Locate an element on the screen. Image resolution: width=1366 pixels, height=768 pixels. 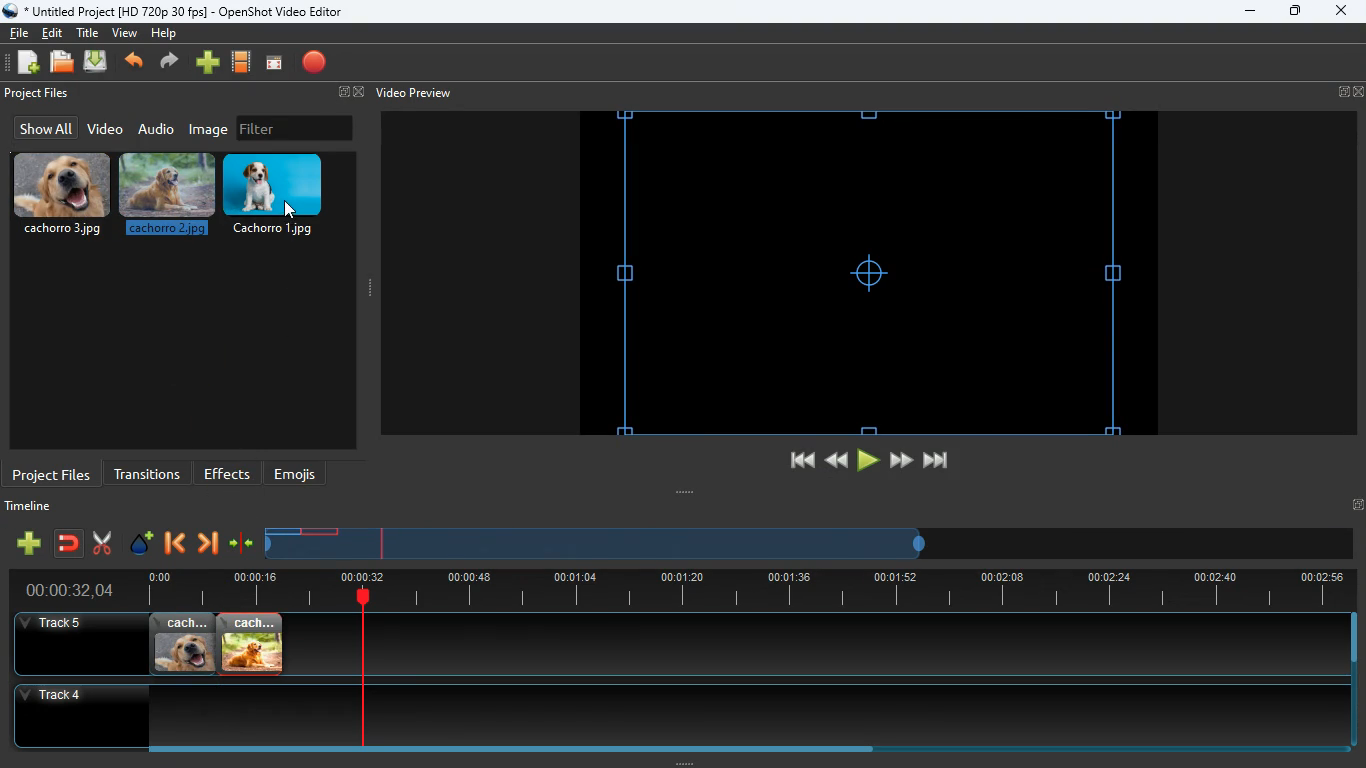
beggining is located at coordinates (793, 461).